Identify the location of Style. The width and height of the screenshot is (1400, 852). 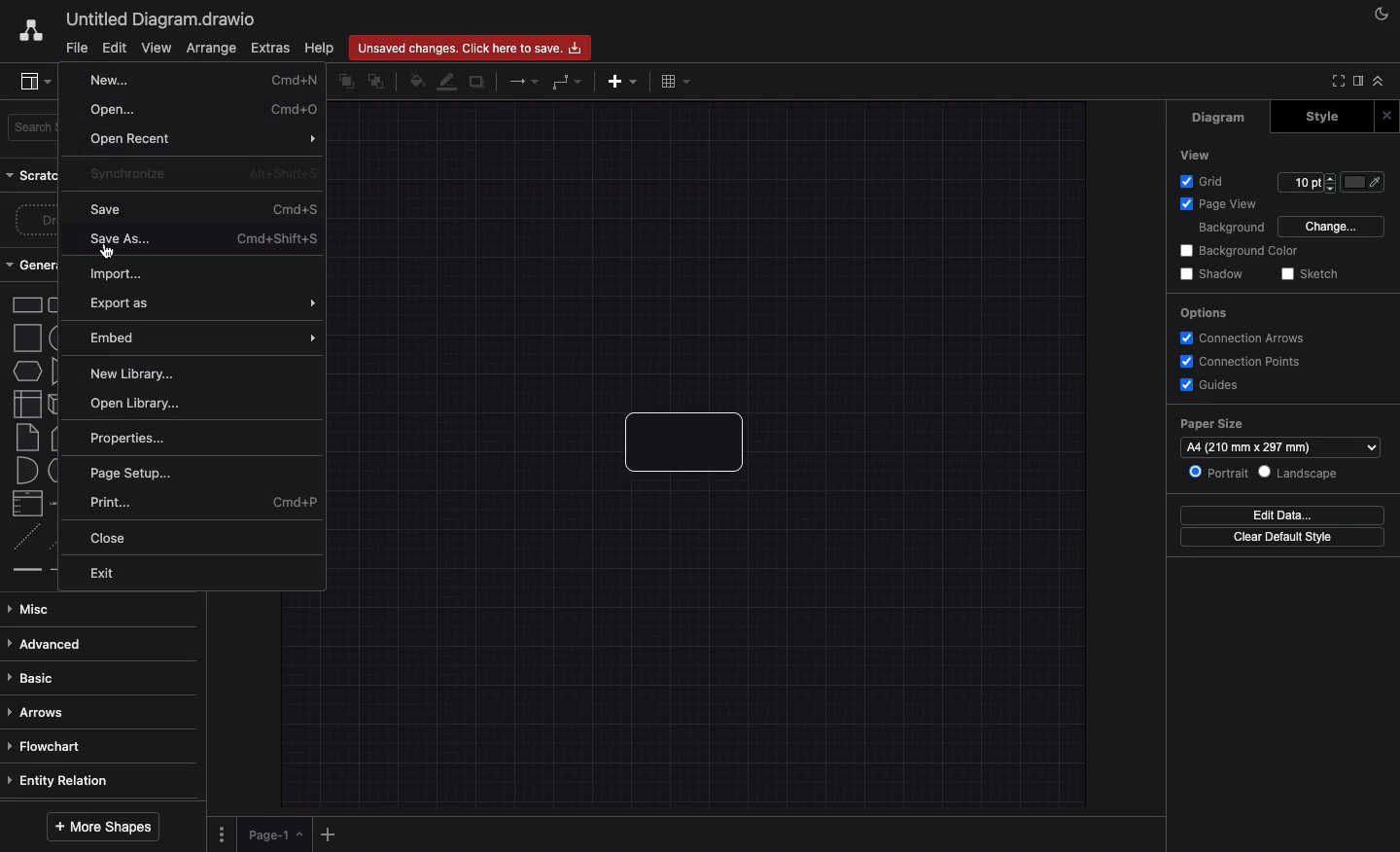
(1334, 117).